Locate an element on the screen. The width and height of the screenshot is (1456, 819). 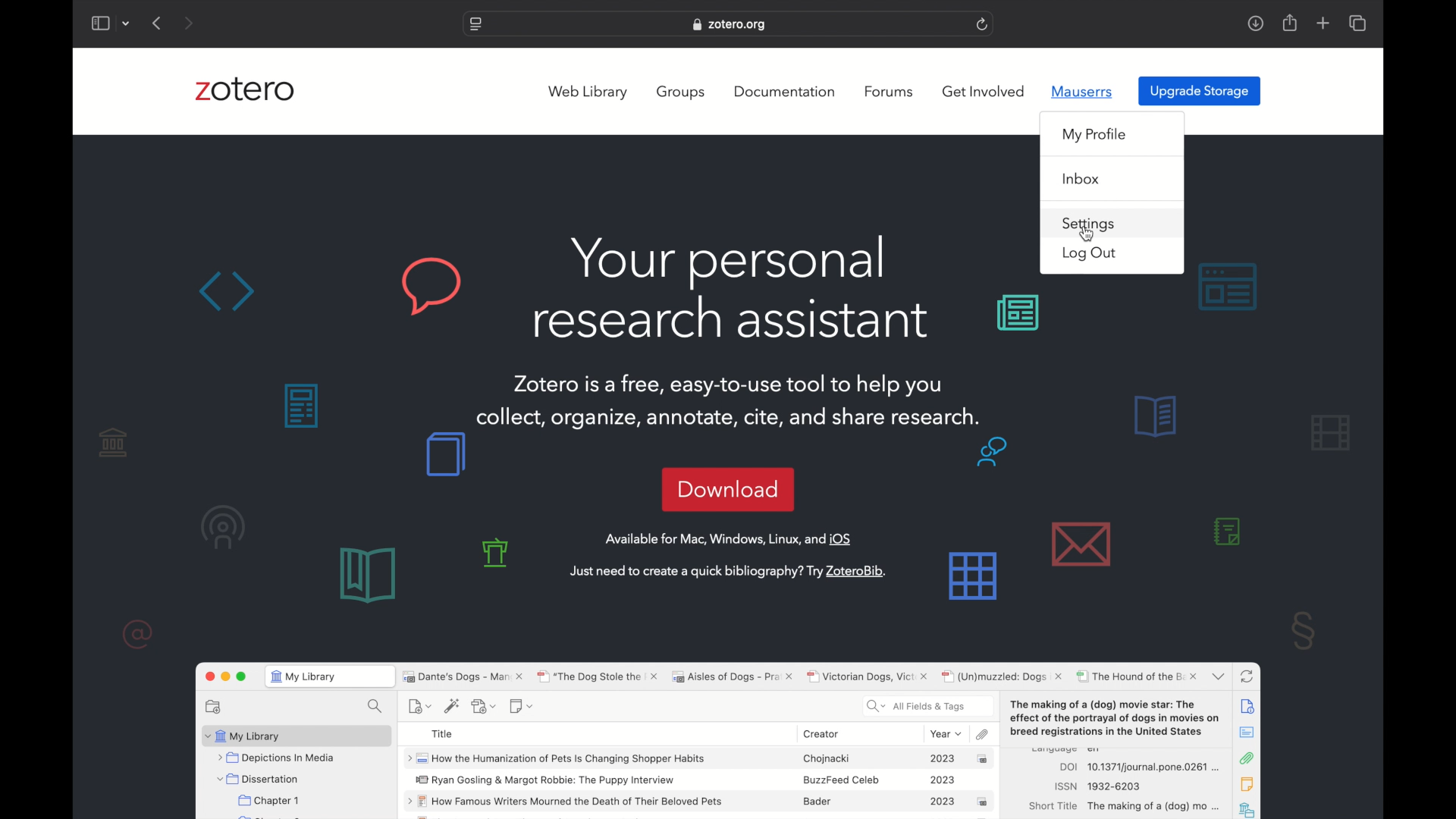
download is located at coordinates (727, 489).